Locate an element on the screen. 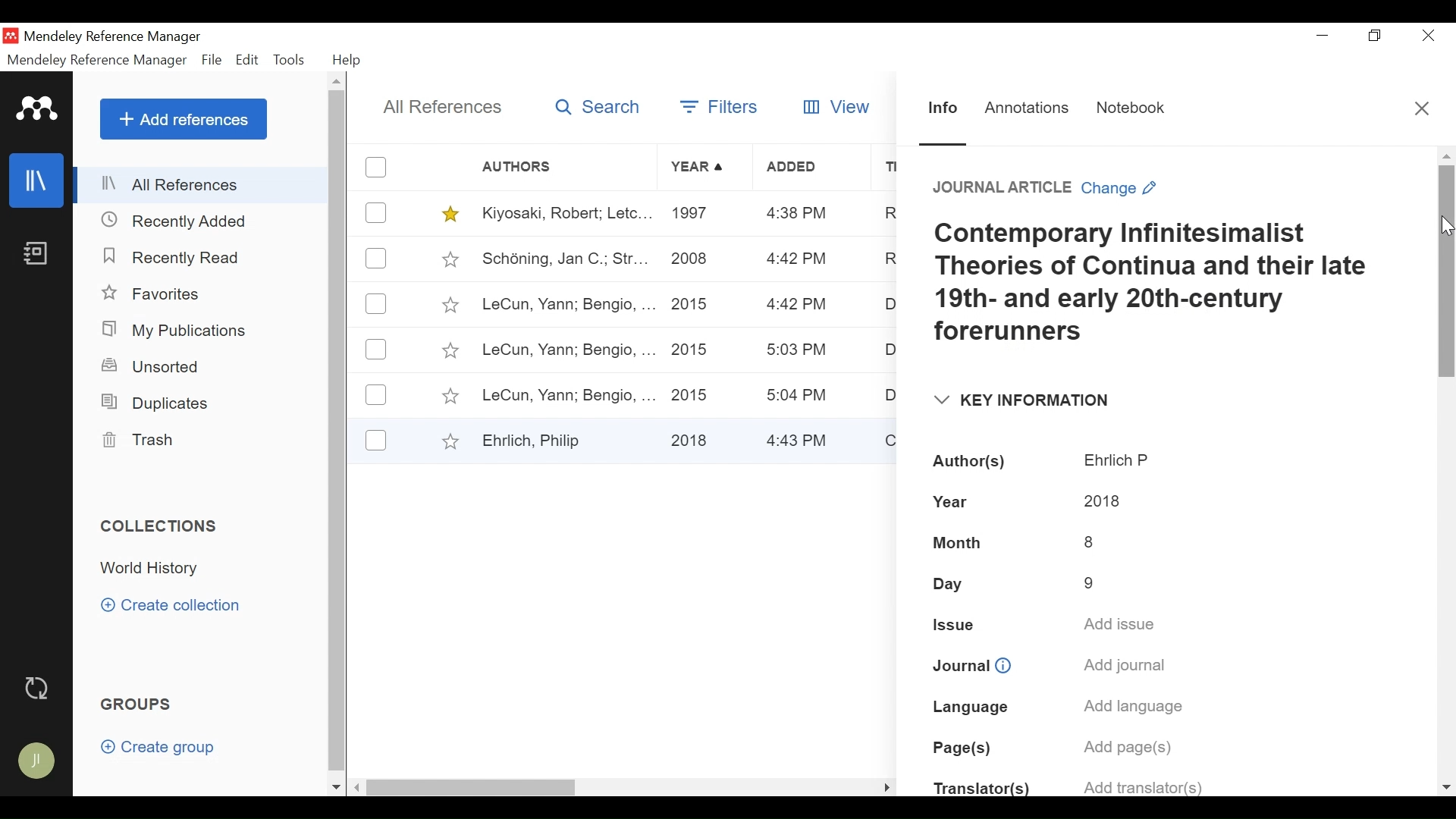 The image size is (1456, 819). Favorites is located at coordinates (153, 293).